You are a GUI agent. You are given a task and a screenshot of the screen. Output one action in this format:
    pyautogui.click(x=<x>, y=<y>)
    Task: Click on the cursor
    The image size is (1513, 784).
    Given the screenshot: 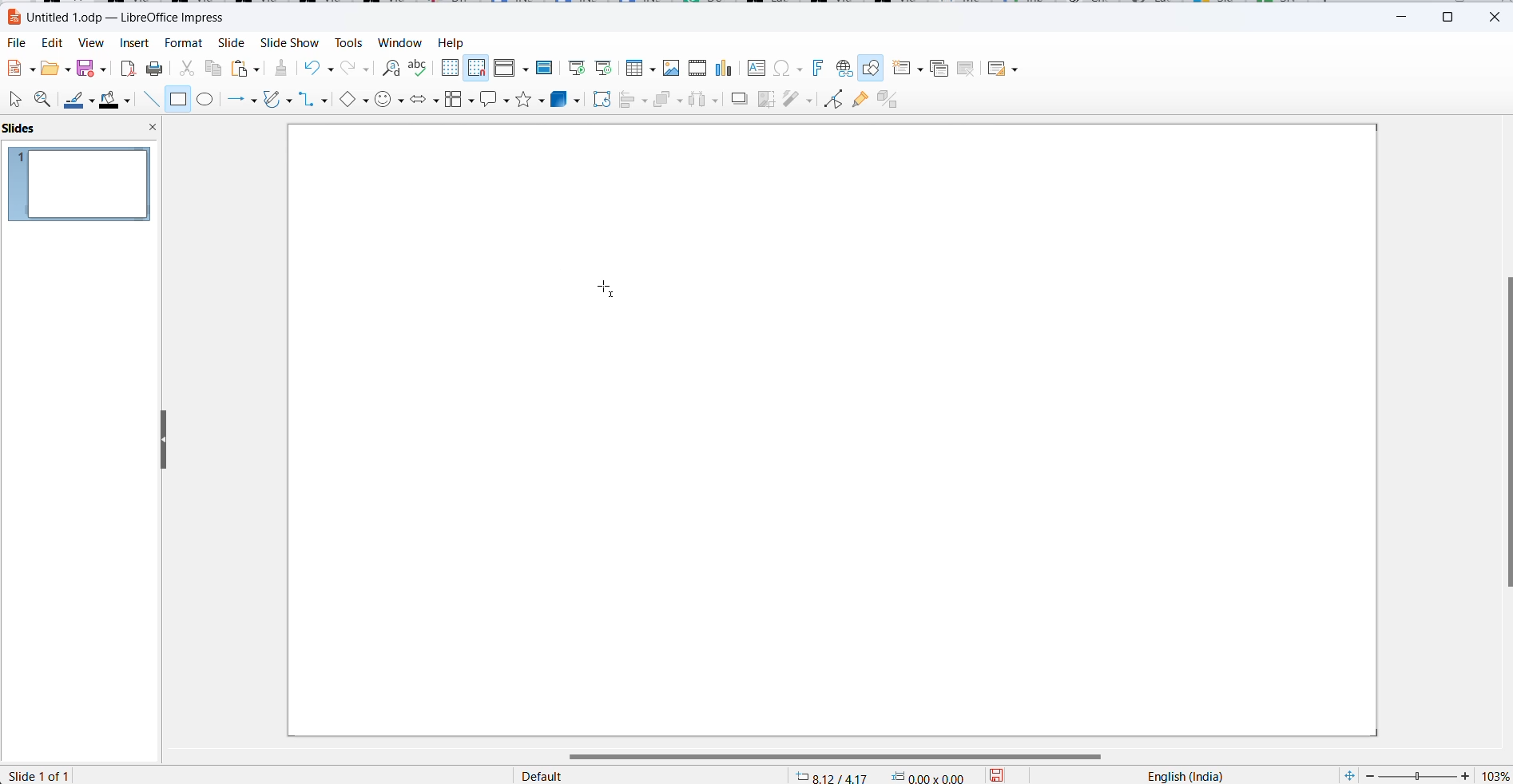 What is the action you would take?
    pyautogui.click(x=610, y=286)
    